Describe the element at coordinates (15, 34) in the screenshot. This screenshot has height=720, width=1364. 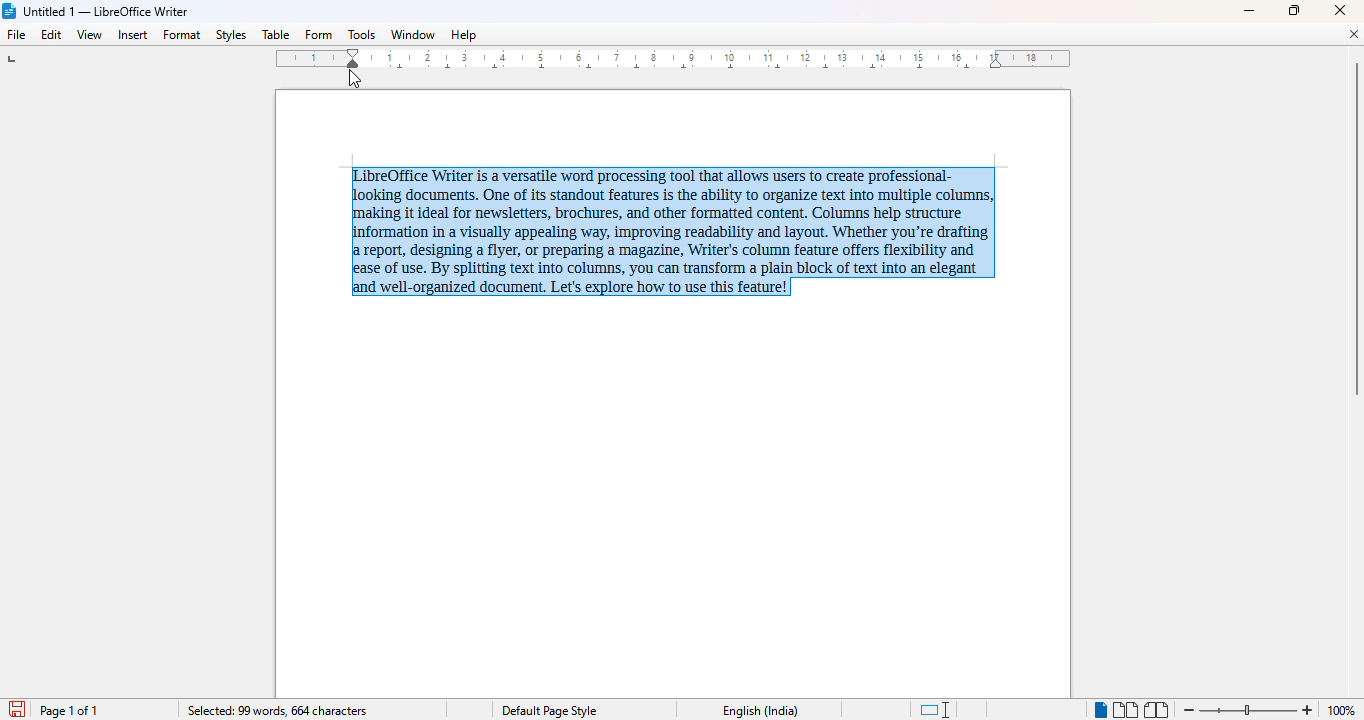
I see `file` at that location.